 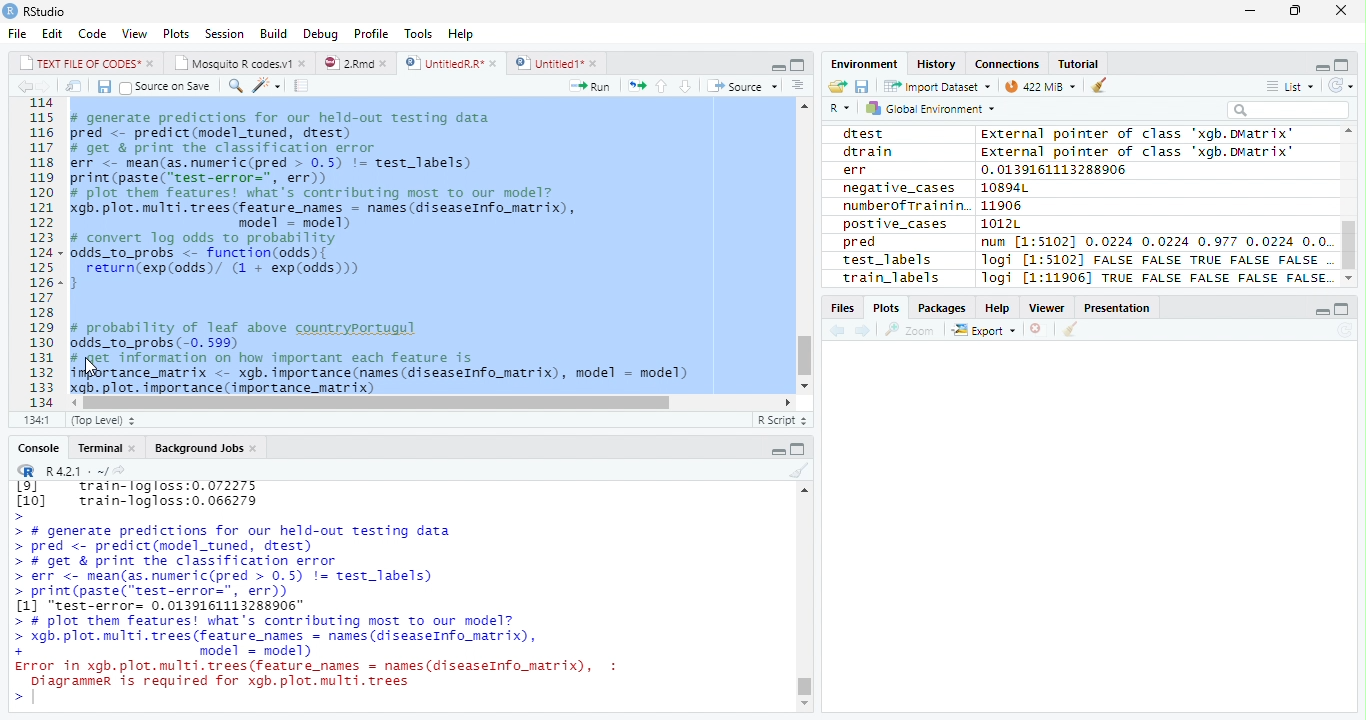 What do you see at coordinates (418, 33) in the screenshot?
I see `Tools` at bounding box center [418, 33].